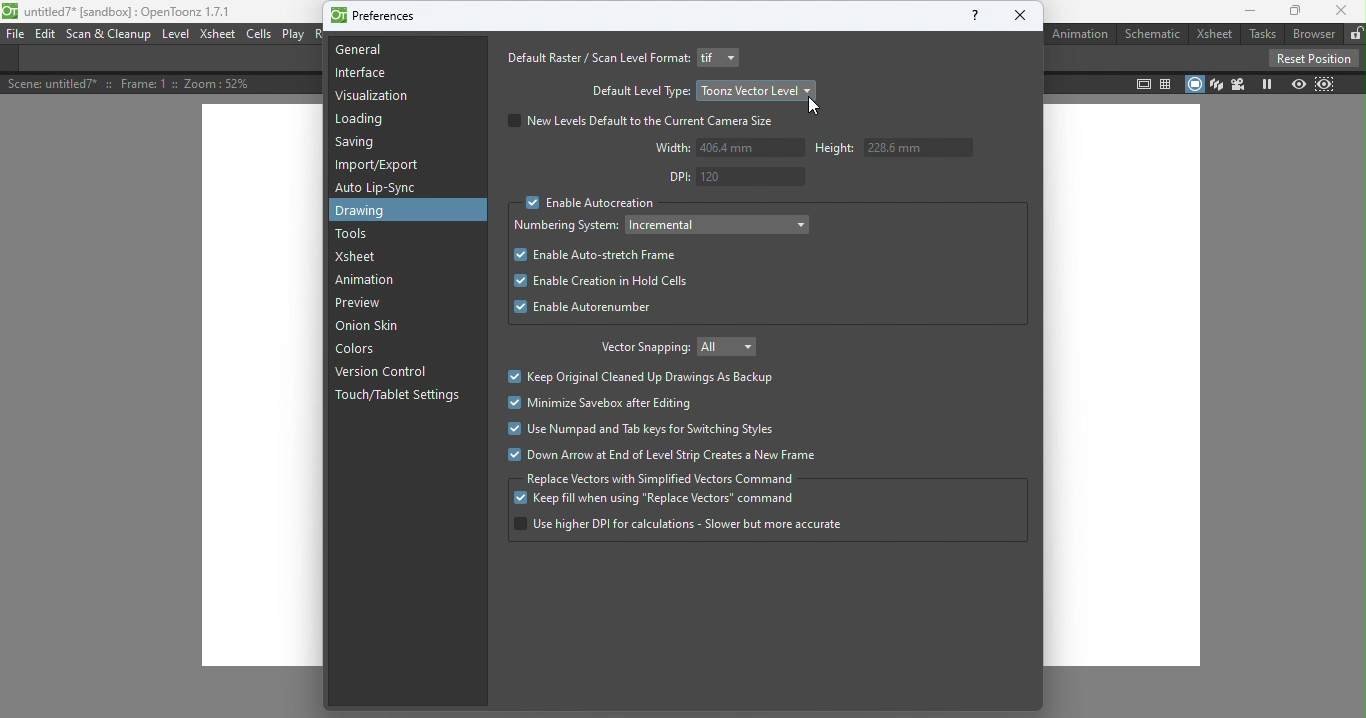 This screenshot has width=1366, height=718. I want to click on Play, so click(295, 34).